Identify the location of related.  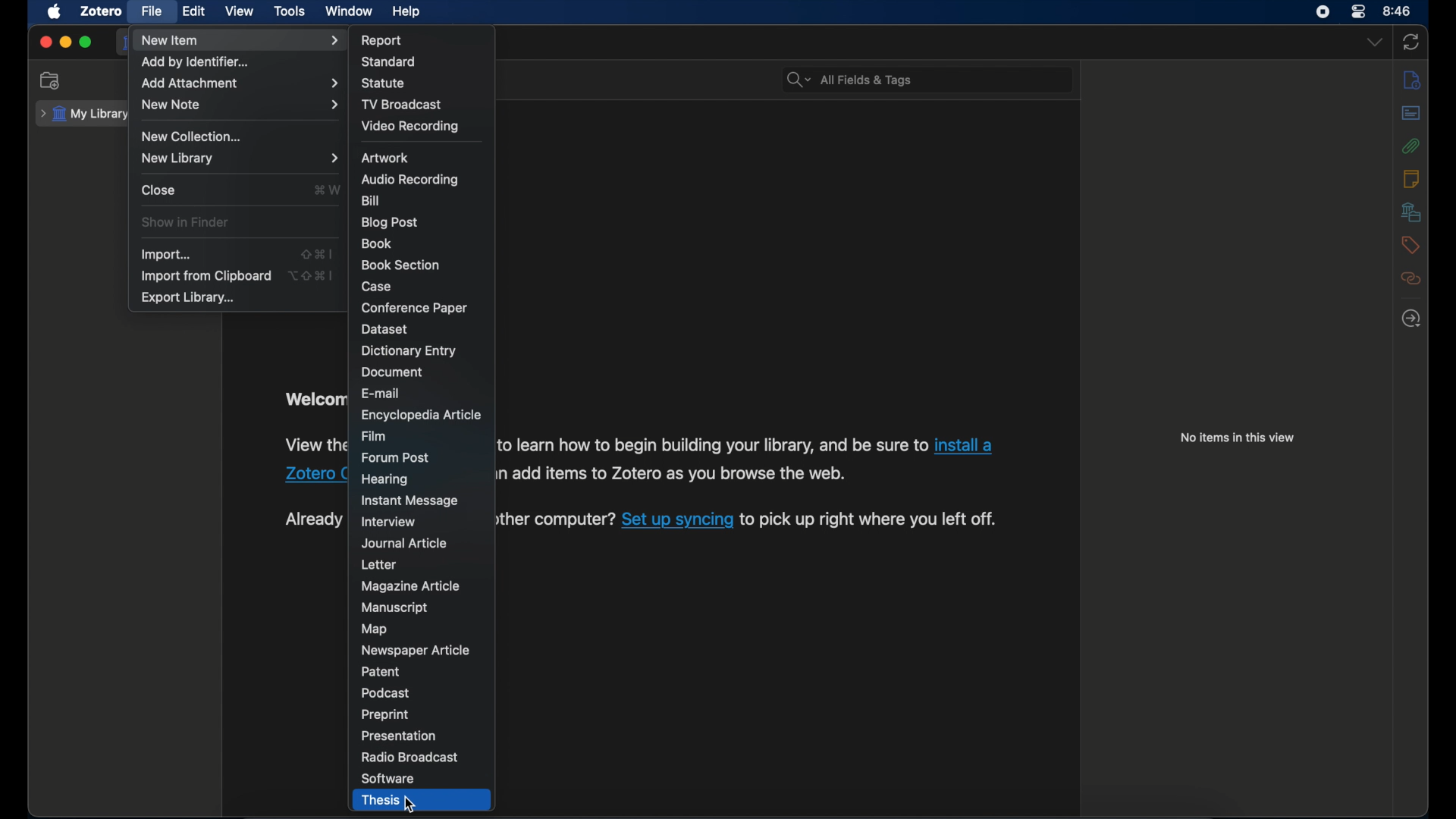
(1414, 278).